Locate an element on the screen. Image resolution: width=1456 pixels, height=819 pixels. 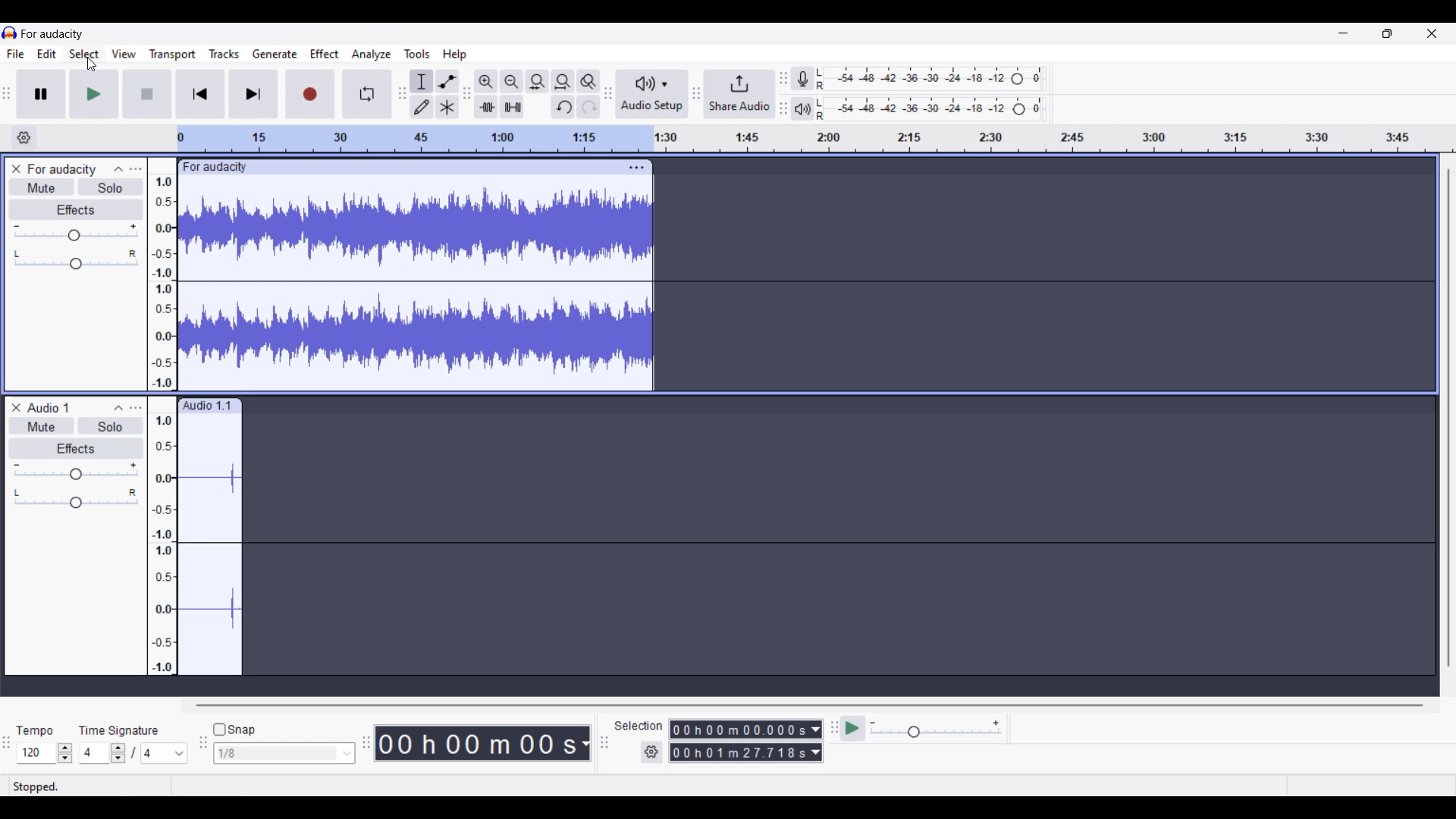
audio 1.1 is located at coordinates (209, 406).